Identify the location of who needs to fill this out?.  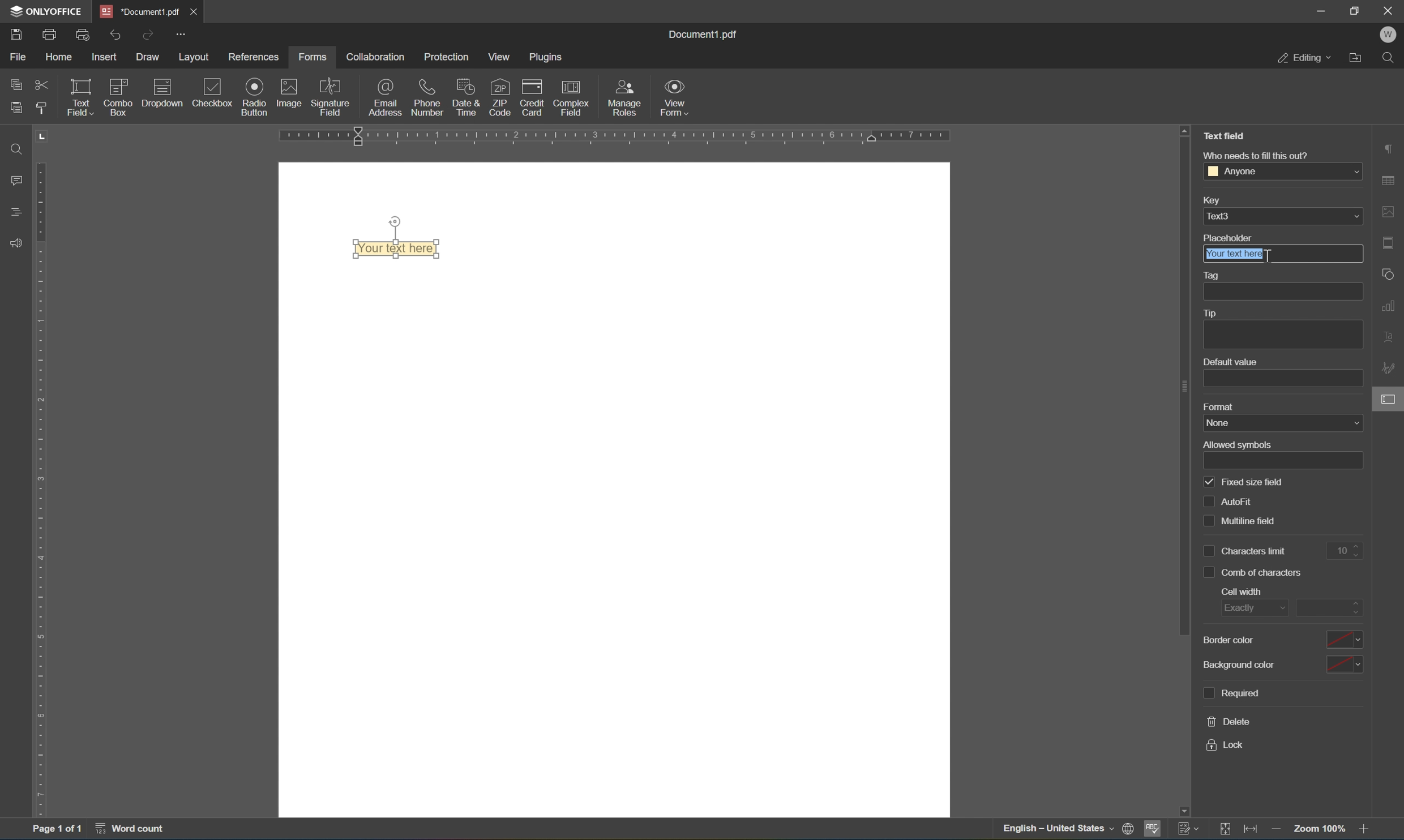
(1263, 153).